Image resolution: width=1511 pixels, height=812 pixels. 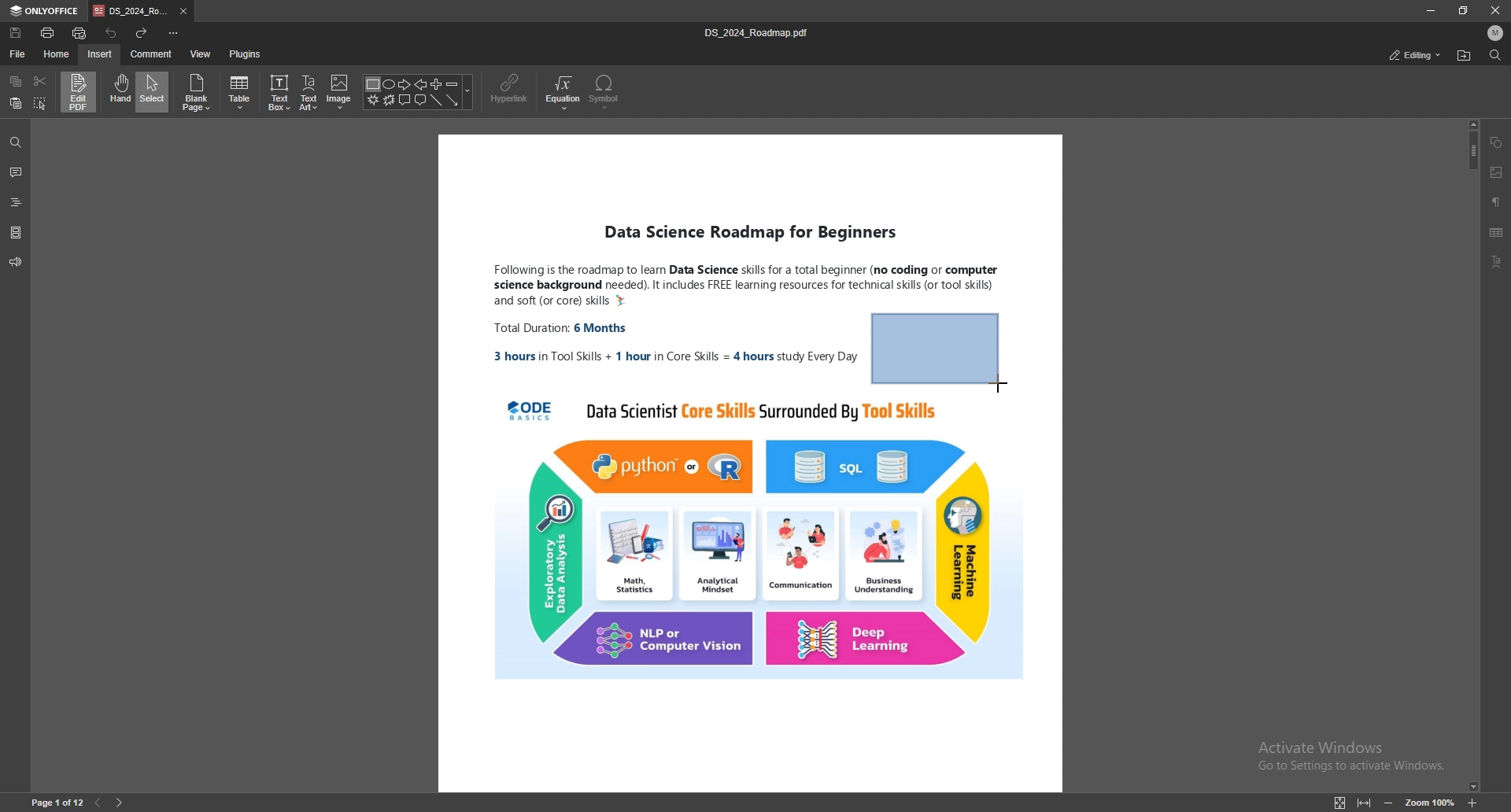 What do you see at coordinates (1497, 201) in the screenshot?
I see `paragraph` at bounding box center [1497, 201].